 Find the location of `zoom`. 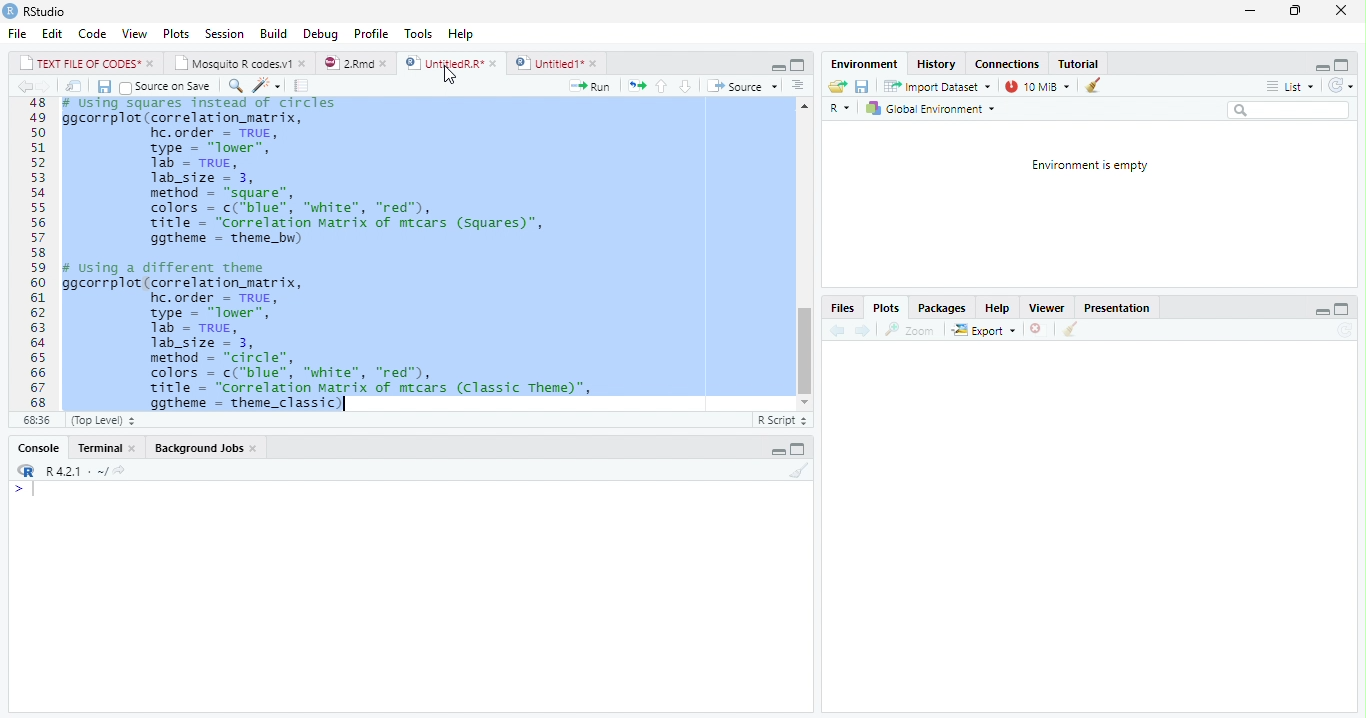

zoom is located at coordinates (914, 330).